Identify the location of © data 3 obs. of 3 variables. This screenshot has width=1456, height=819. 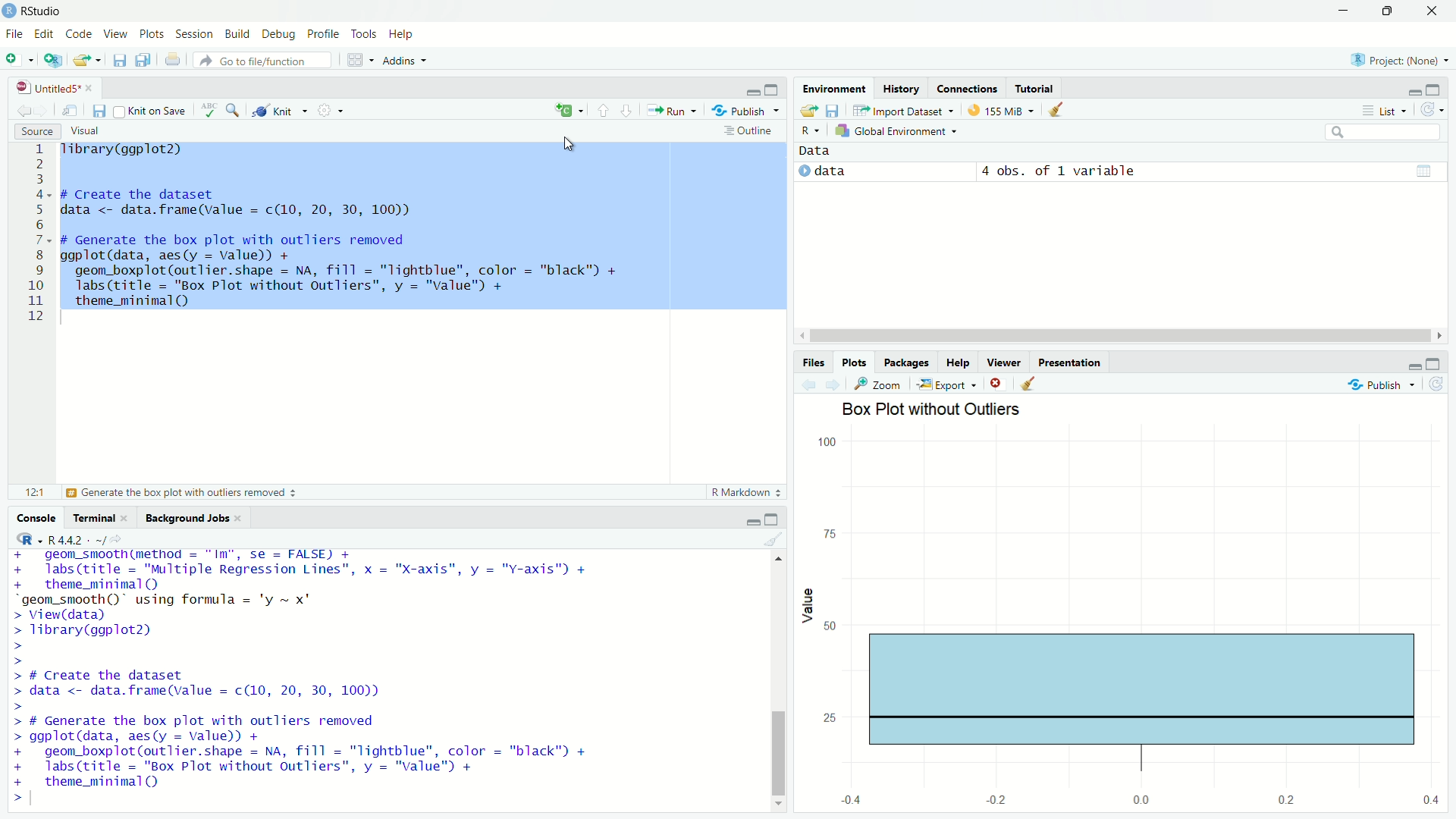
(1008, 173).